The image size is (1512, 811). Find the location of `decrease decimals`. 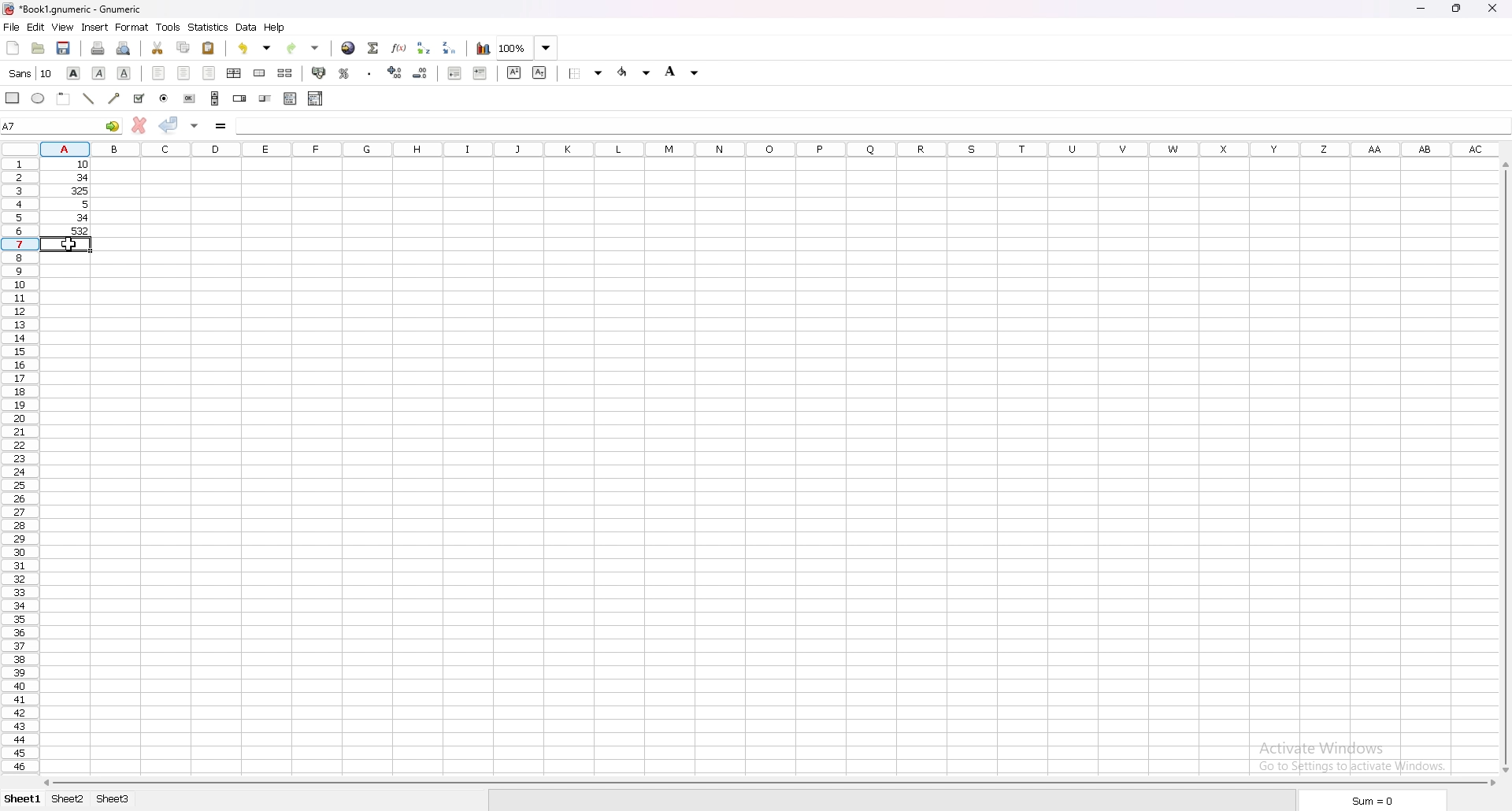

decrease decimals is located at coordinates (422, 72).